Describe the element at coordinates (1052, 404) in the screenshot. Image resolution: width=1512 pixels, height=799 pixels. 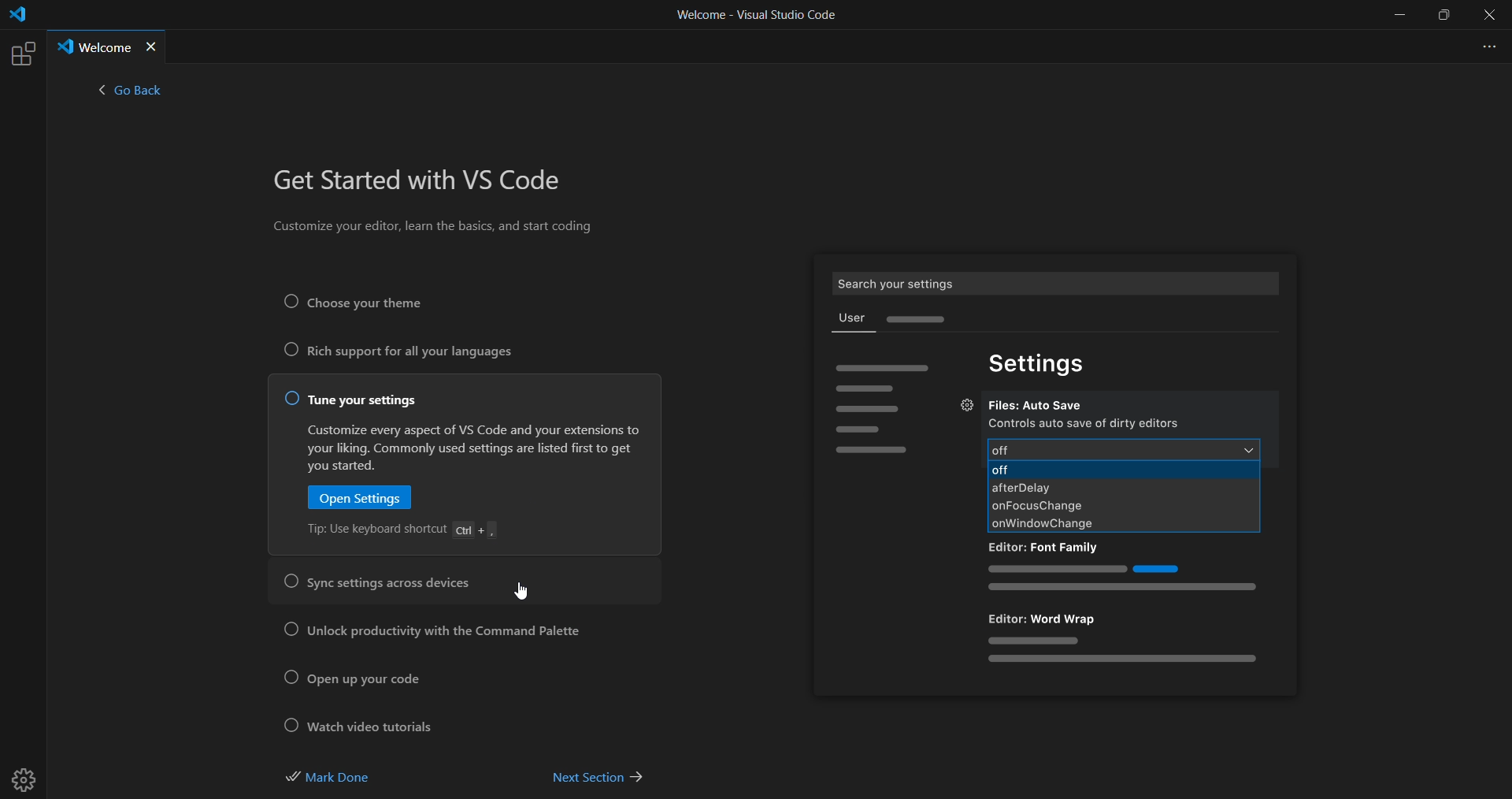
I see `Files: Auto Save` at that location.